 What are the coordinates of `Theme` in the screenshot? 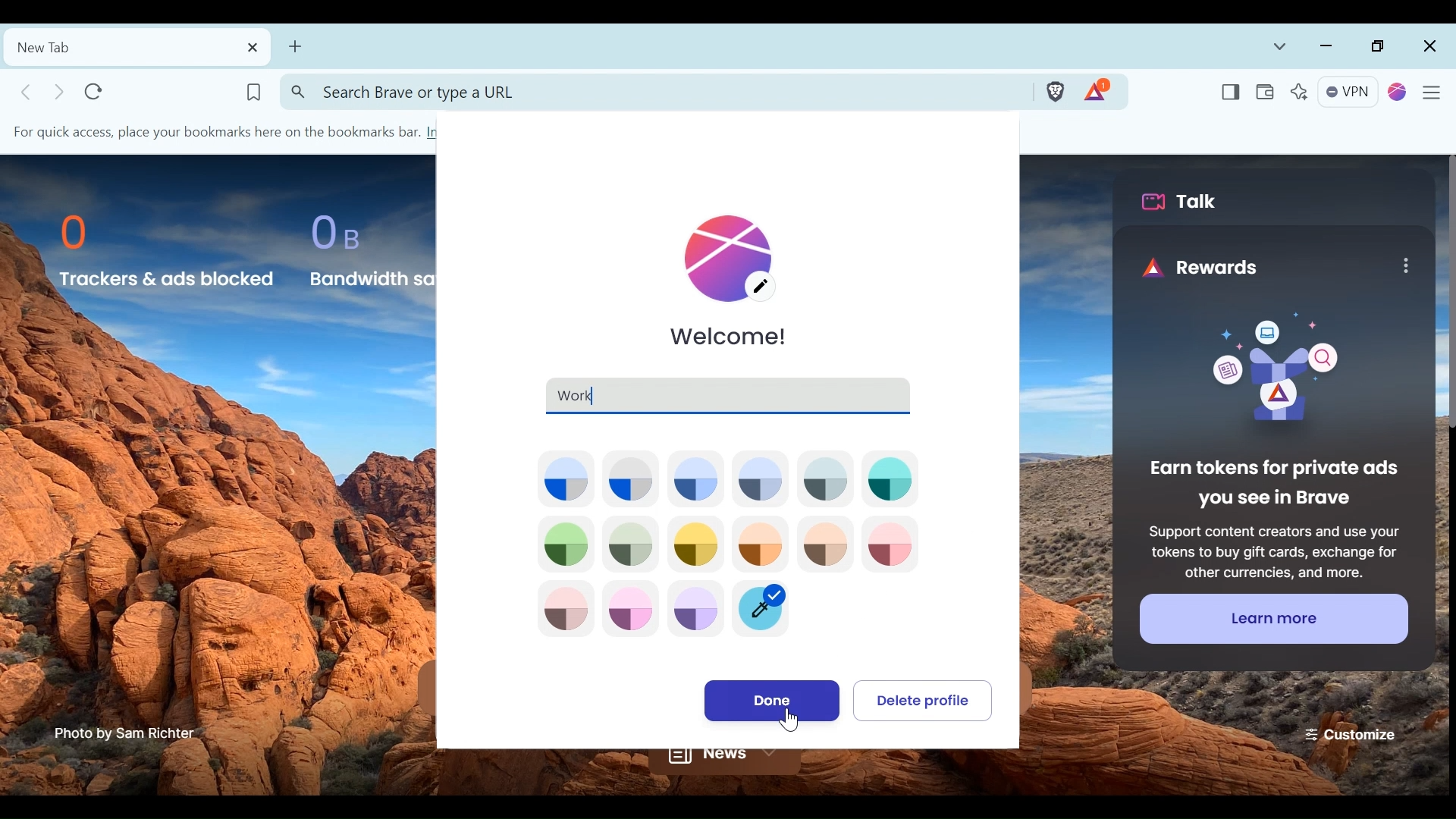 It's located at (891, 477).